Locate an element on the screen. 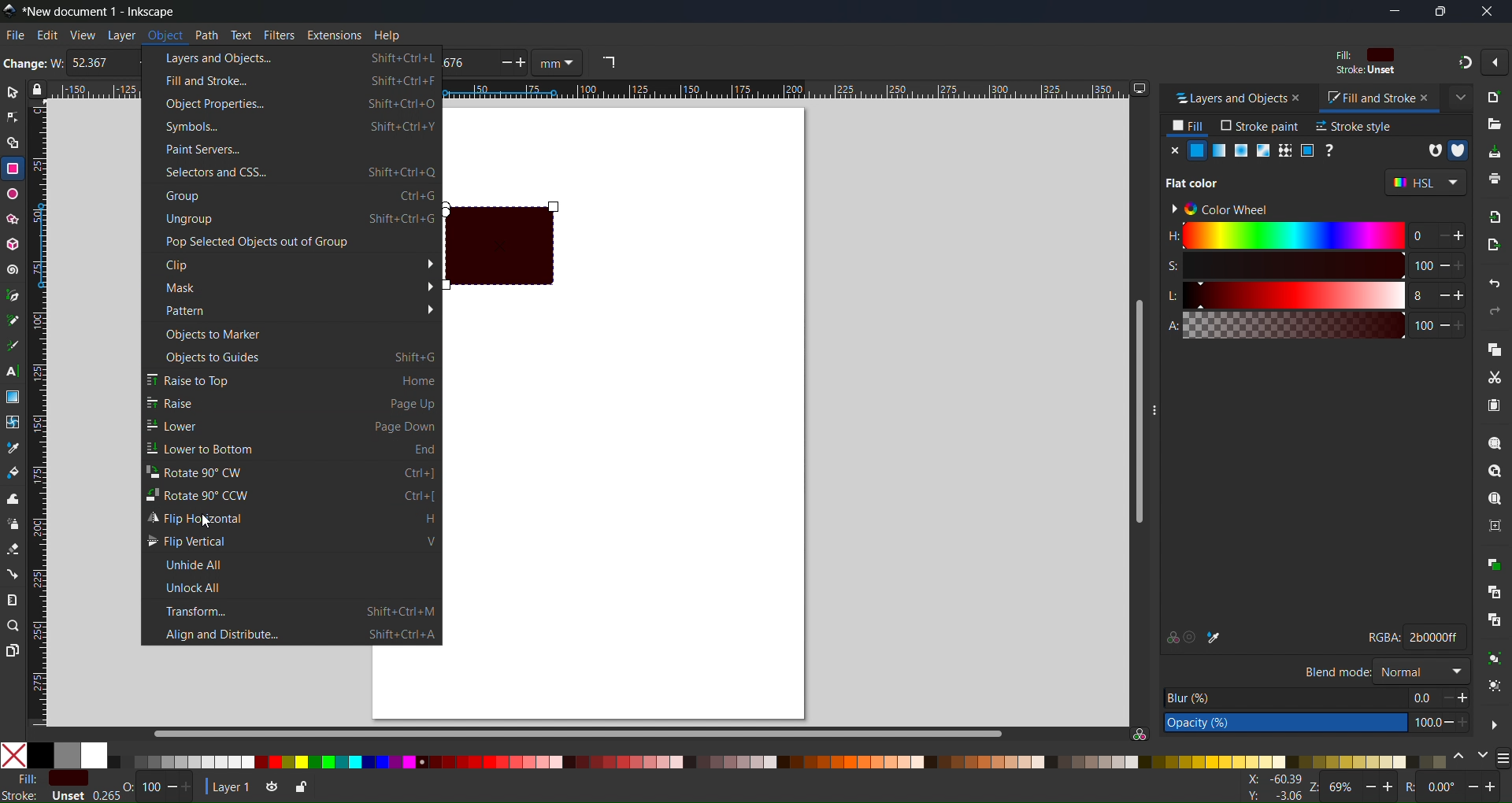  increase hue is located at coordinates (1439, 237).